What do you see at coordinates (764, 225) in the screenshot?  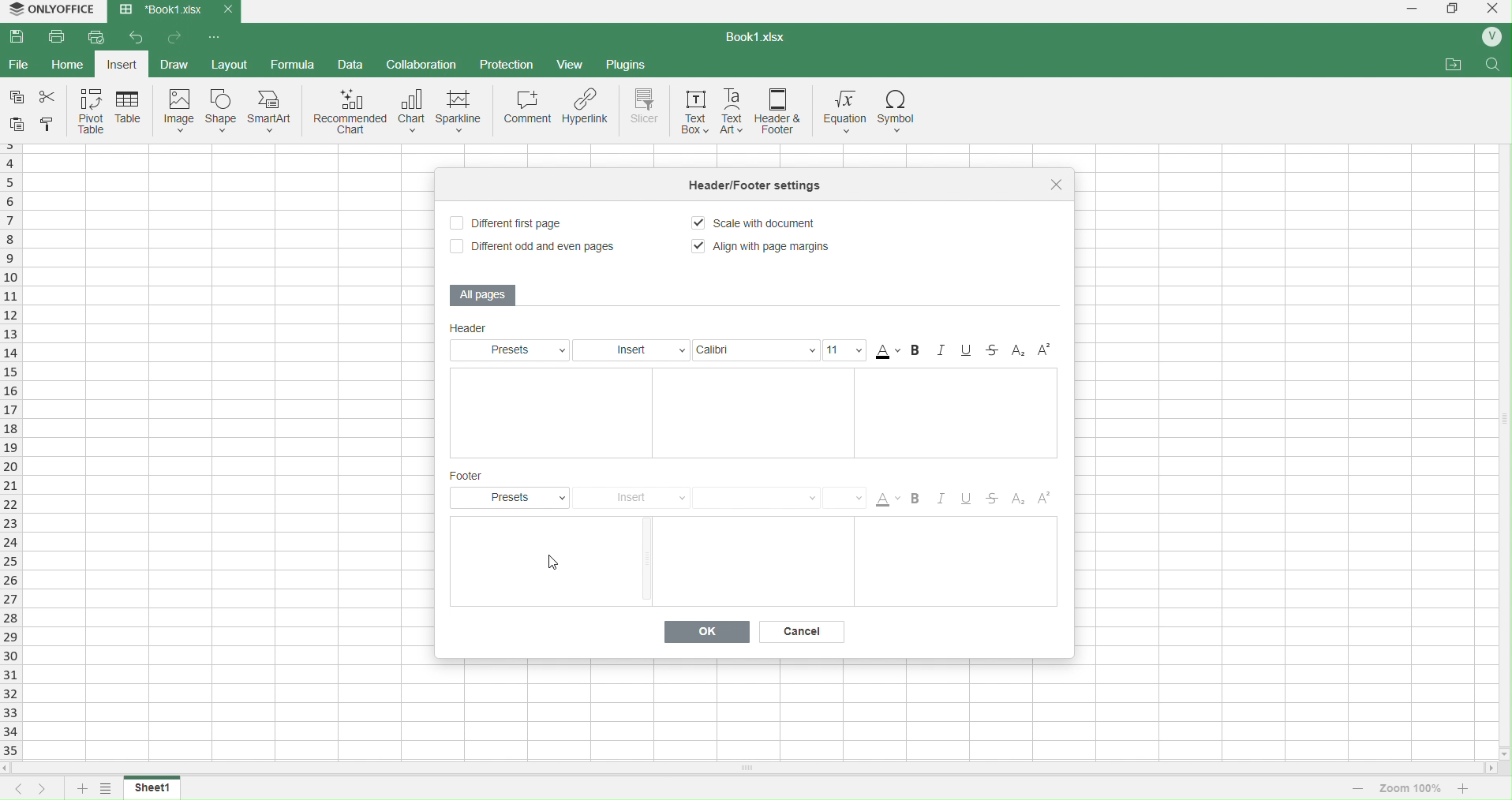 I see `Scale document` at bounding box center [764, 225].